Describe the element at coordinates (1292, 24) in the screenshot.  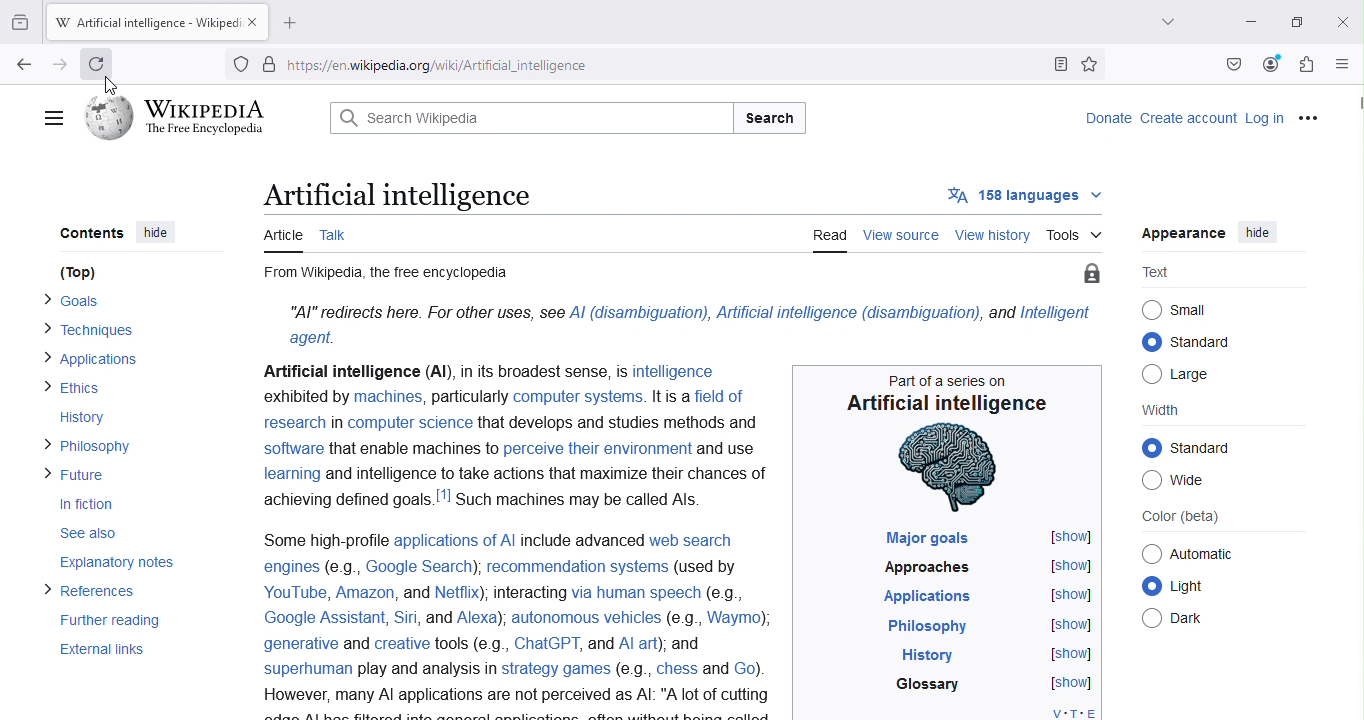
I see `Maximize` at that location.